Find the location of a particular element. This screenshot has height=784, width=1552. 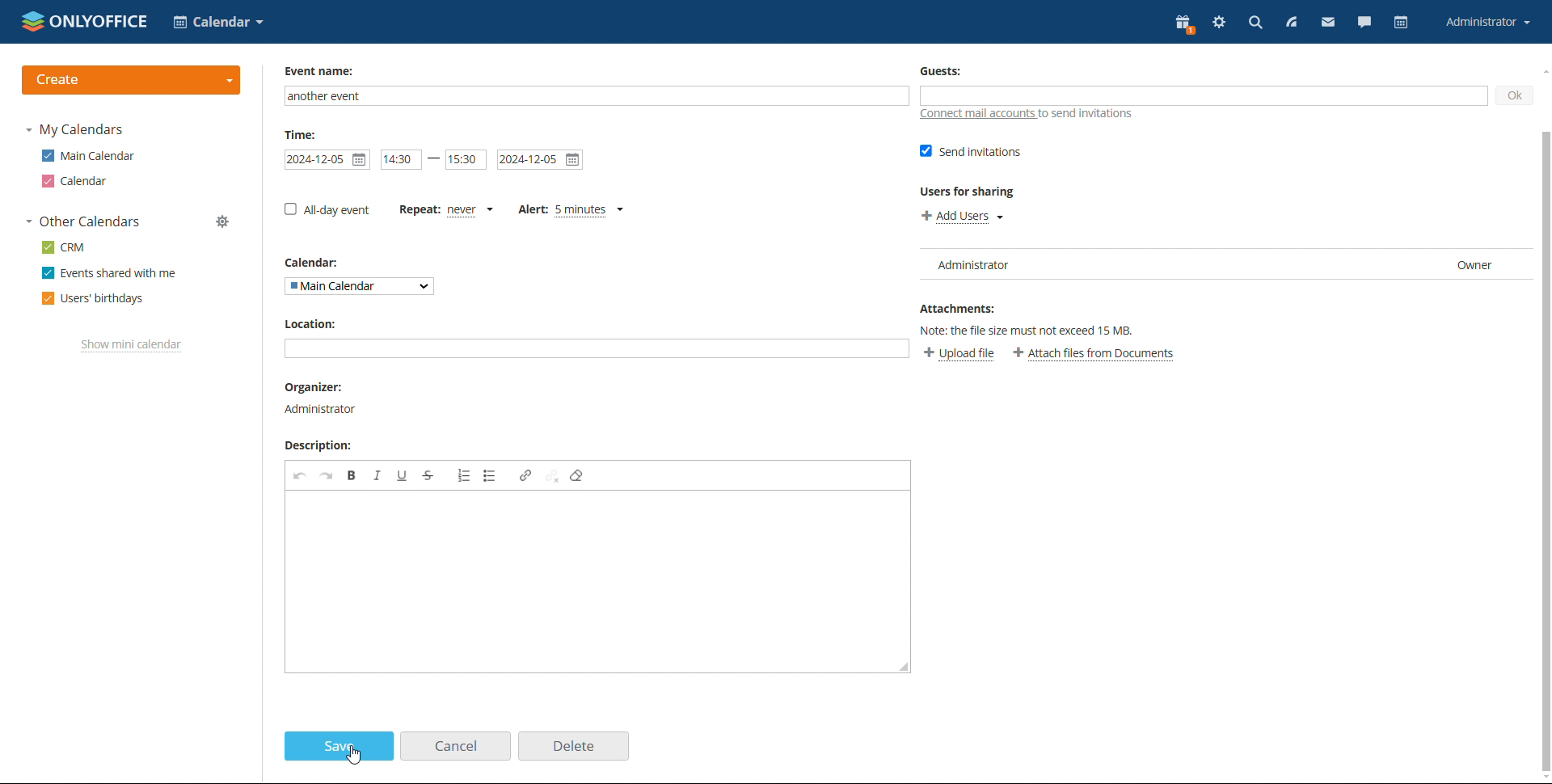

events shared with me is located at coordinates (109, 273).